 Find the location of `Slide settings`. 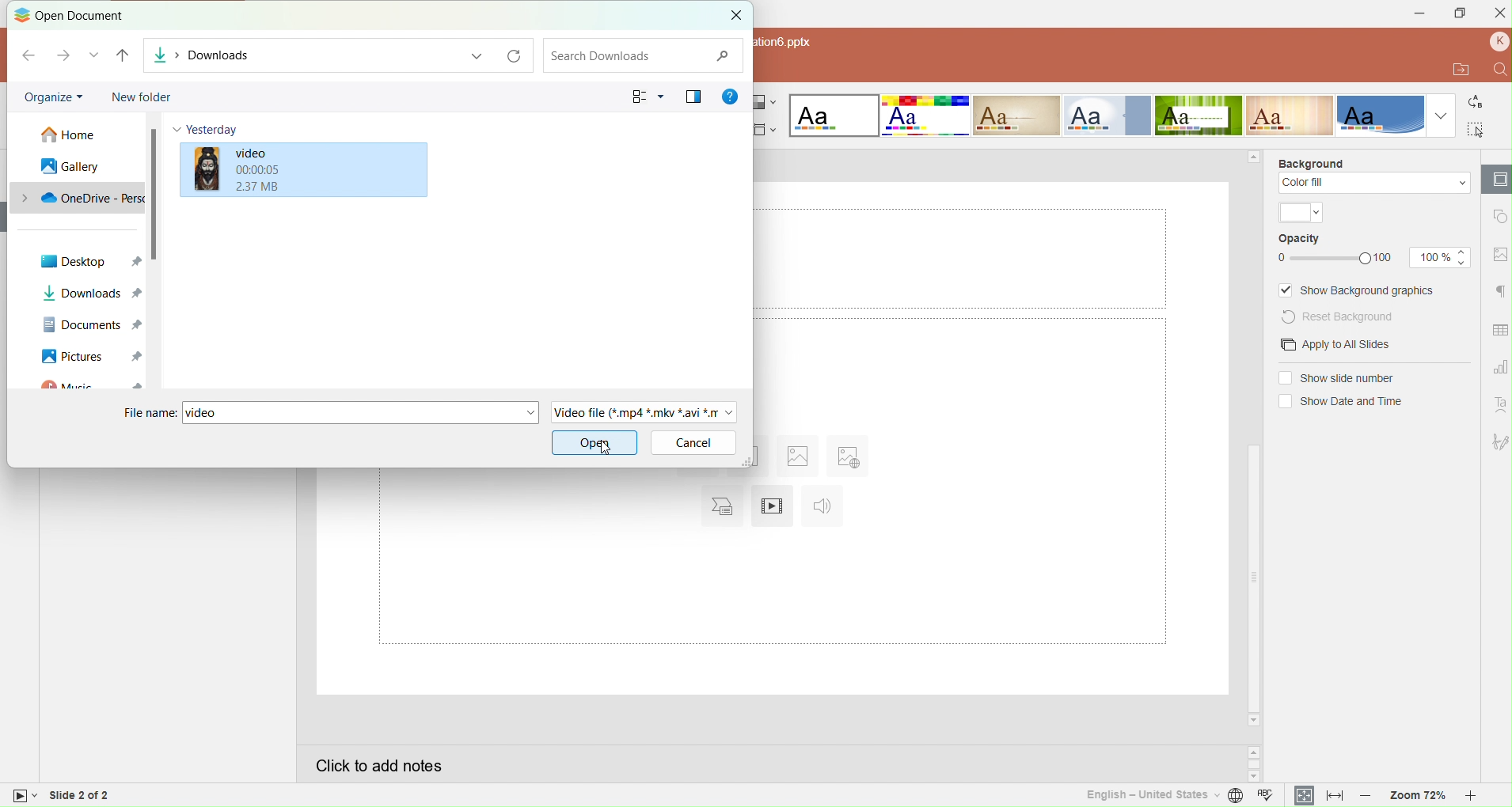

Slide settings is located at coordinates (1497, 180).